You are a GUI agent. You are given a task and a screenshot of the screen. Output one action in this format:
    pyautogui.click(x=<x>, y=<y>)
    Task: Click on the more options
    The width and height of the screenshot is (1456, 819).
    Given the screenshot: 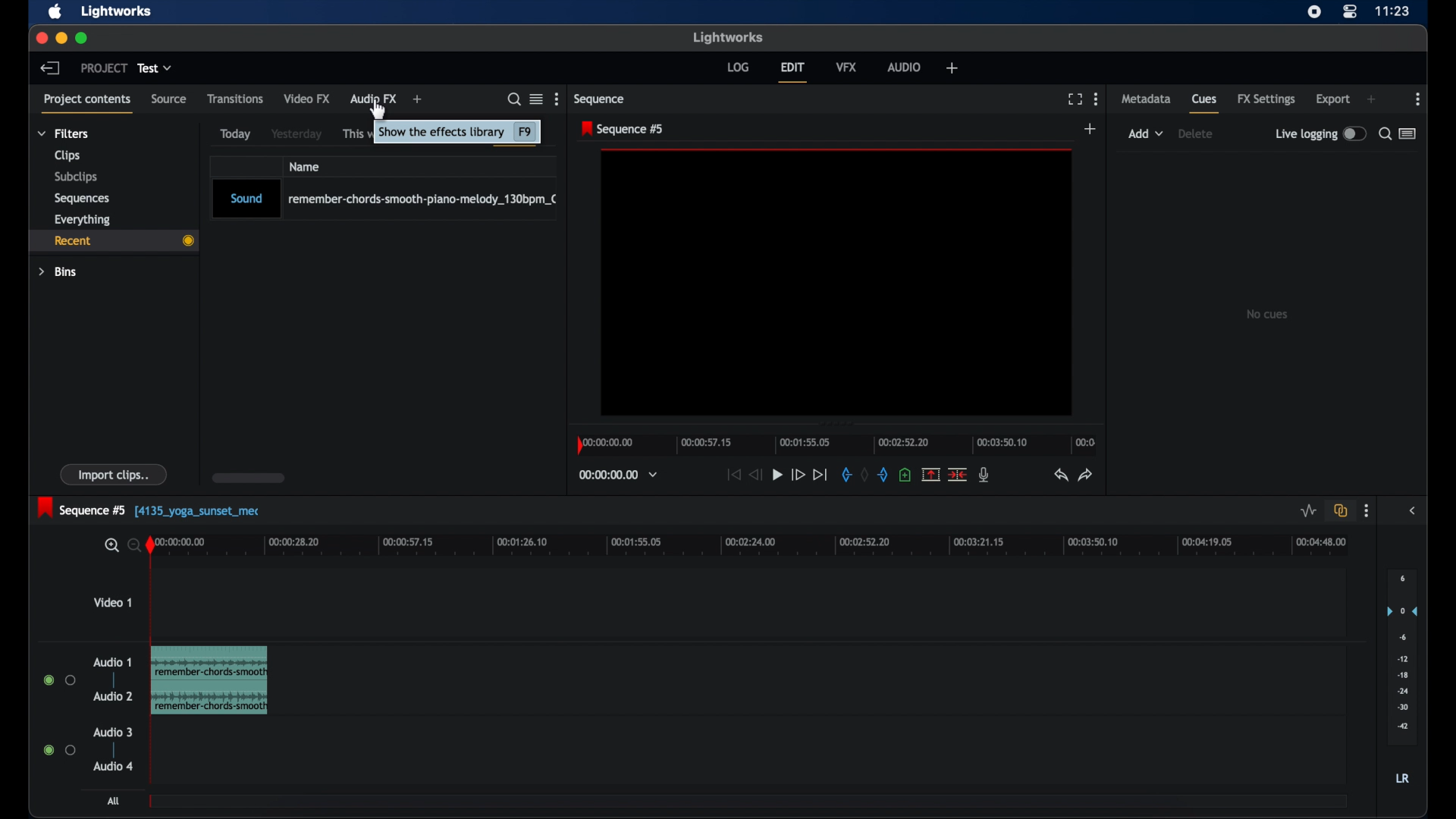 What is the action you would take?
    pyautogui.click(x=1096, y=99)
    